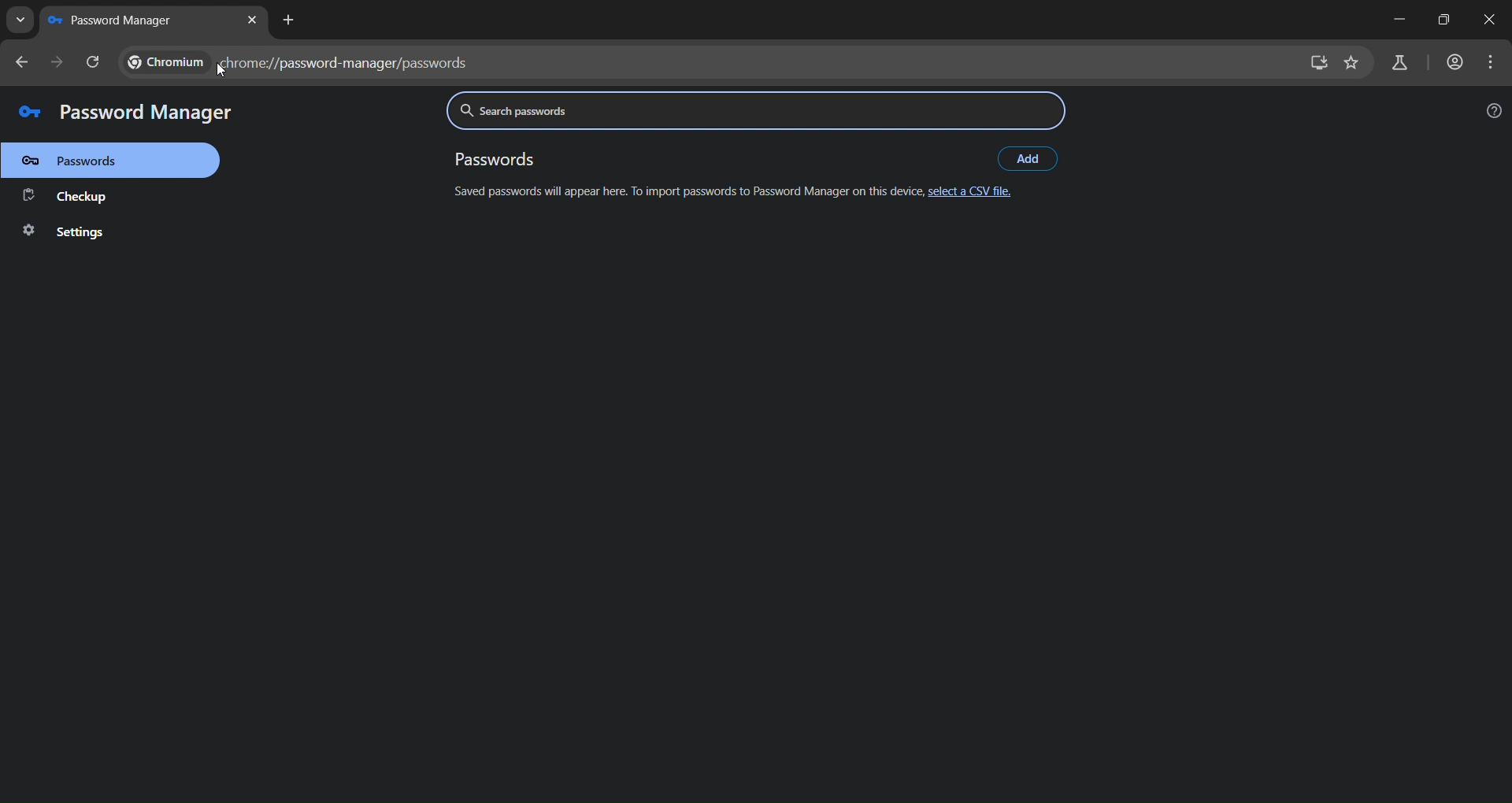  I want to click on go forward one page, so click(59, 61).